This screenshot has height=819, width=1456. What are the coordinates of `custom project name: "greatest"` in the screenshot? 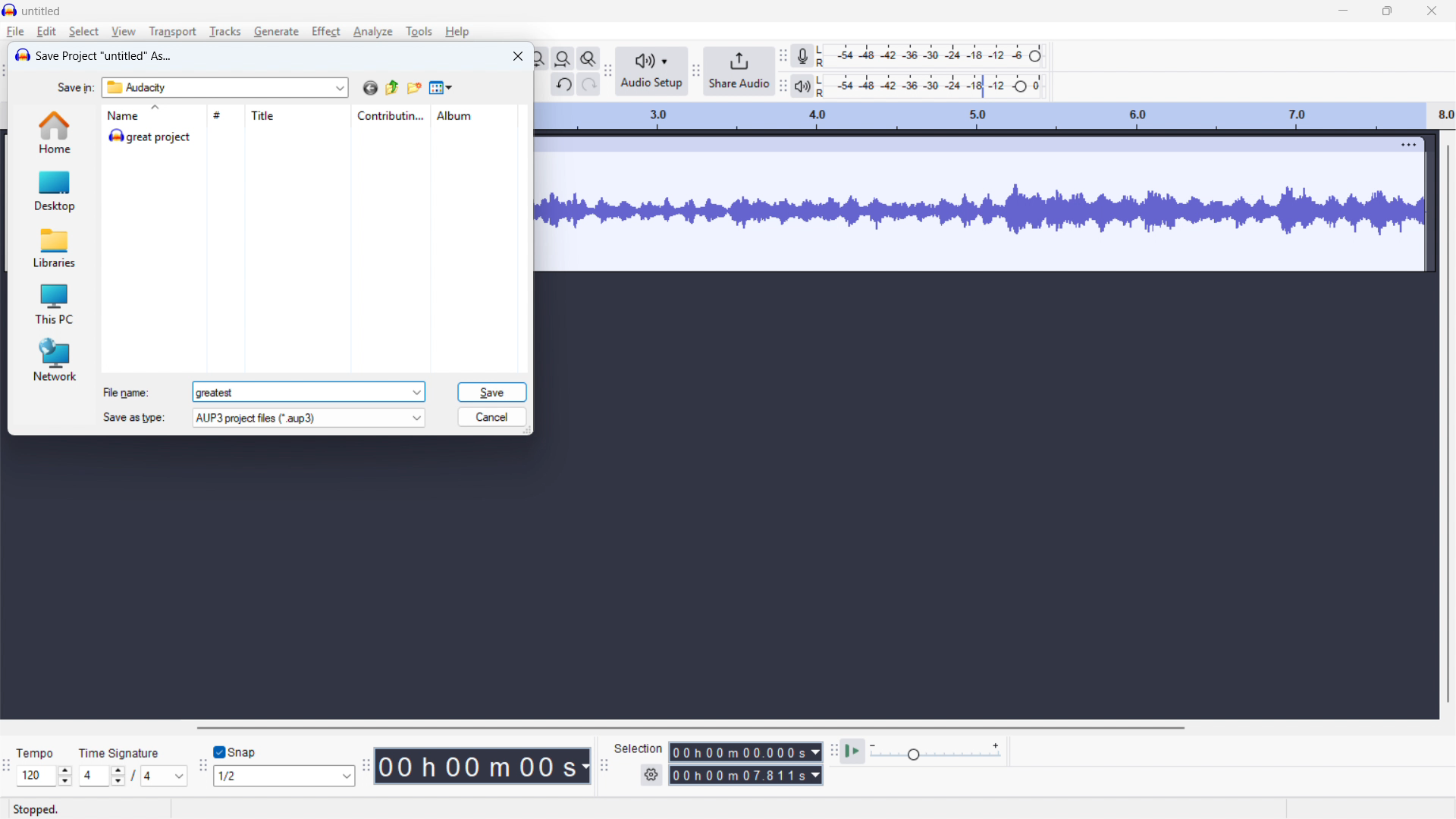 It's located at (309, 392).